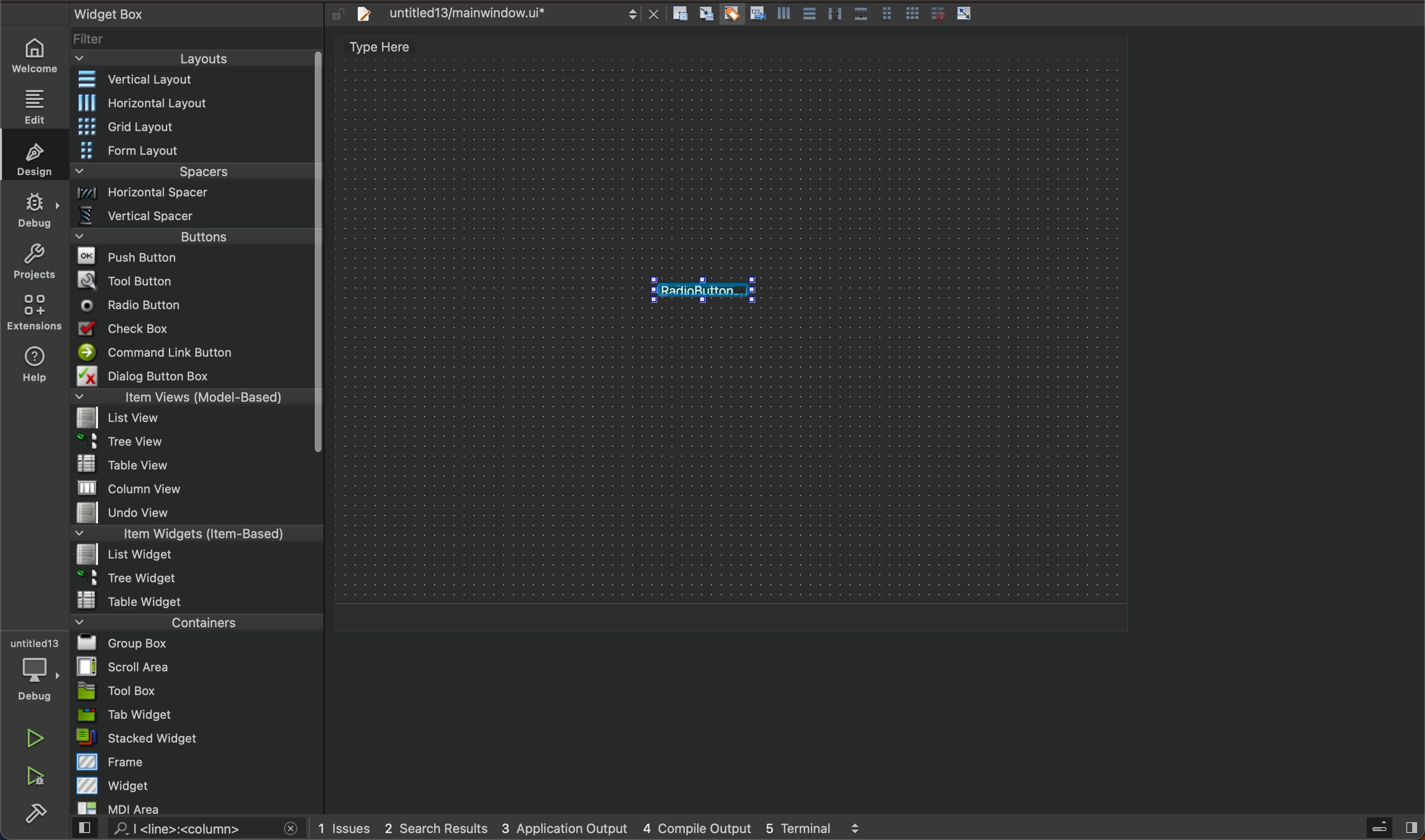 This screenshot has width=1425, height=840. Describe the element at coordinates (392, 49) in the screenshot. I see `type here` at that location.